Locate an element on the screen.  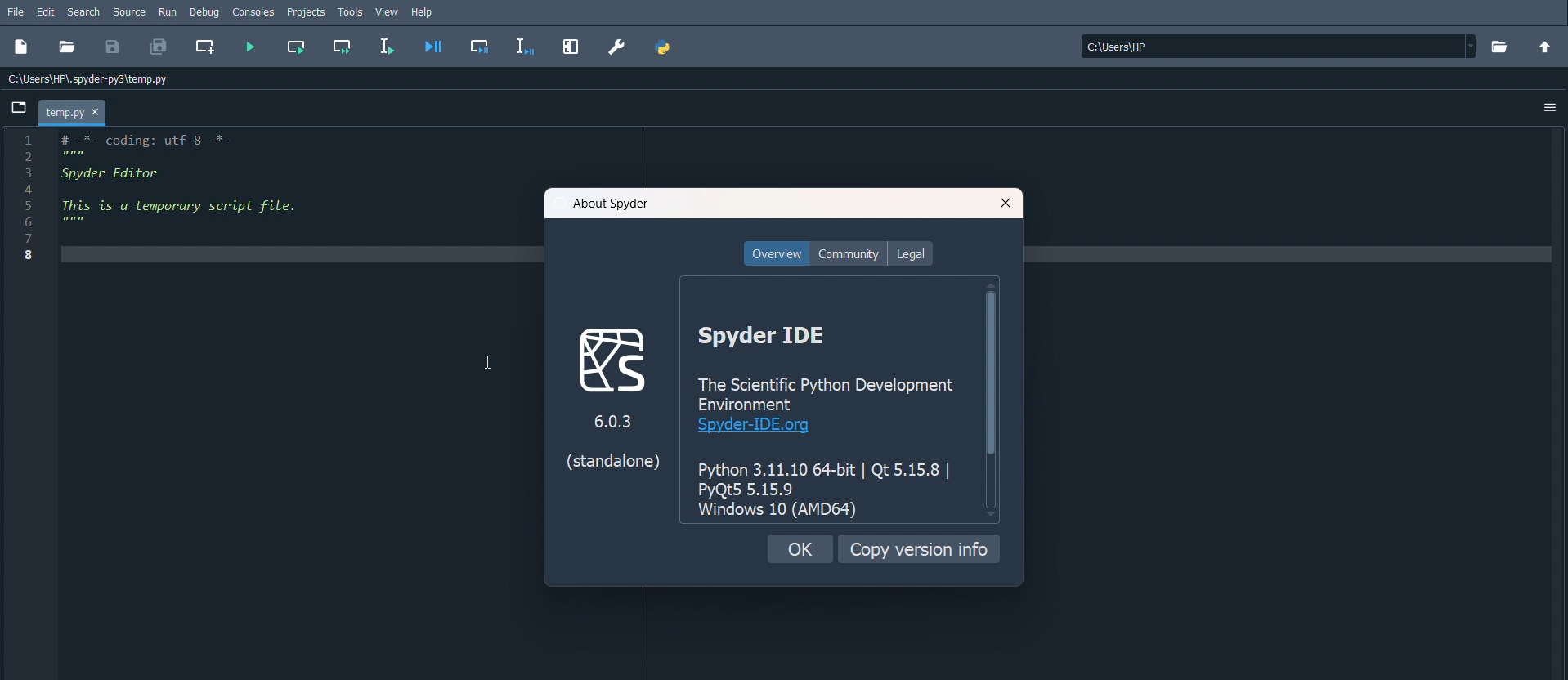
Change to parent directory is located at coordinates (1544, 47).